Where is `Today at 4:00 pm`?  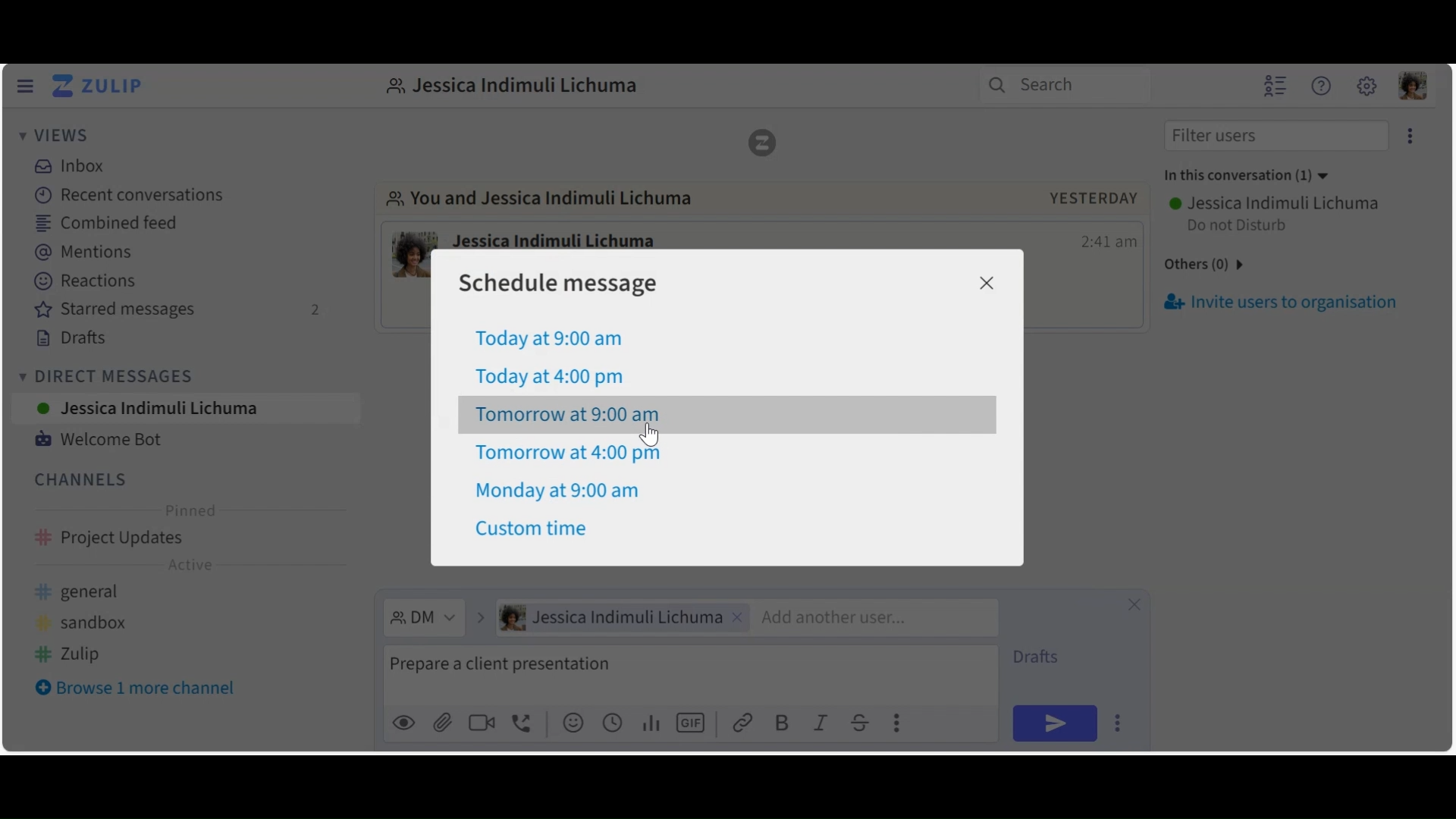
Today at 4:00 pm is located at coordinates (554, 376).